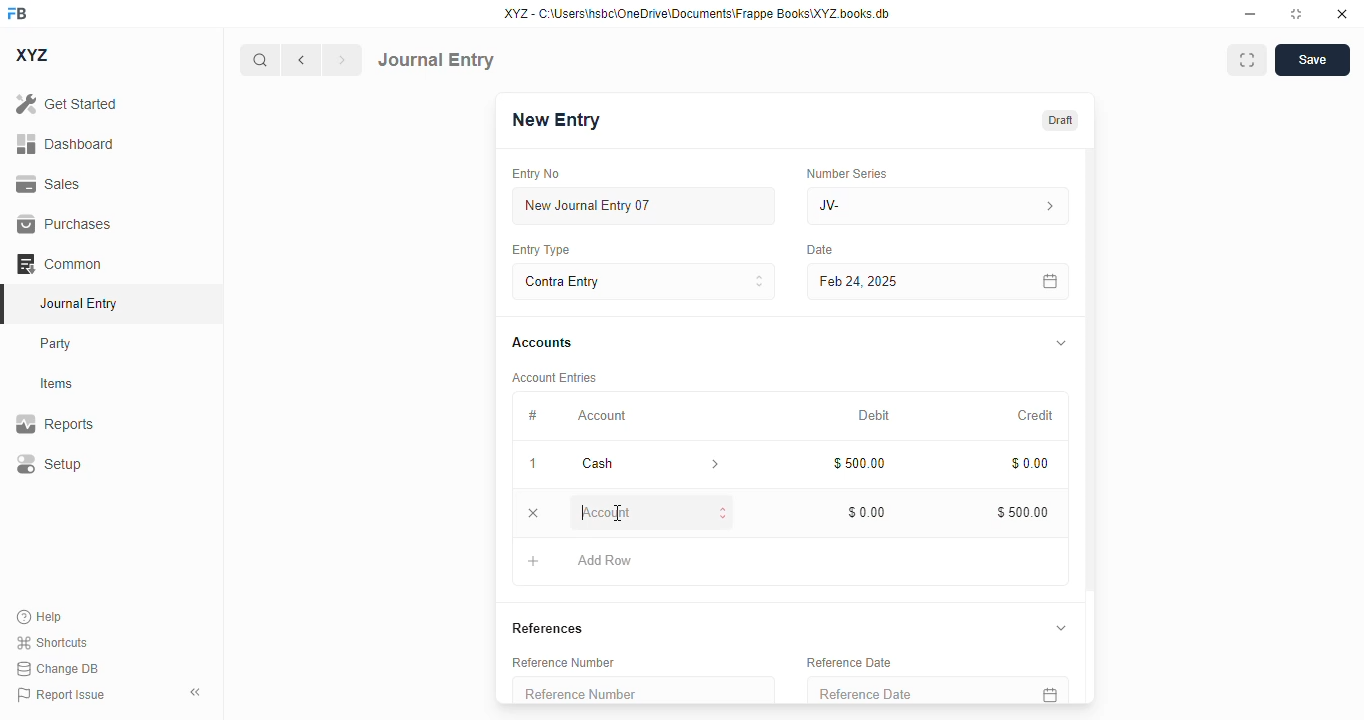 The height and width of the screenshot is (720, 1364). What do you see at coordinates (1061, 119) in the screenshot?
I see `draft` at bounding box center [1061, 119].